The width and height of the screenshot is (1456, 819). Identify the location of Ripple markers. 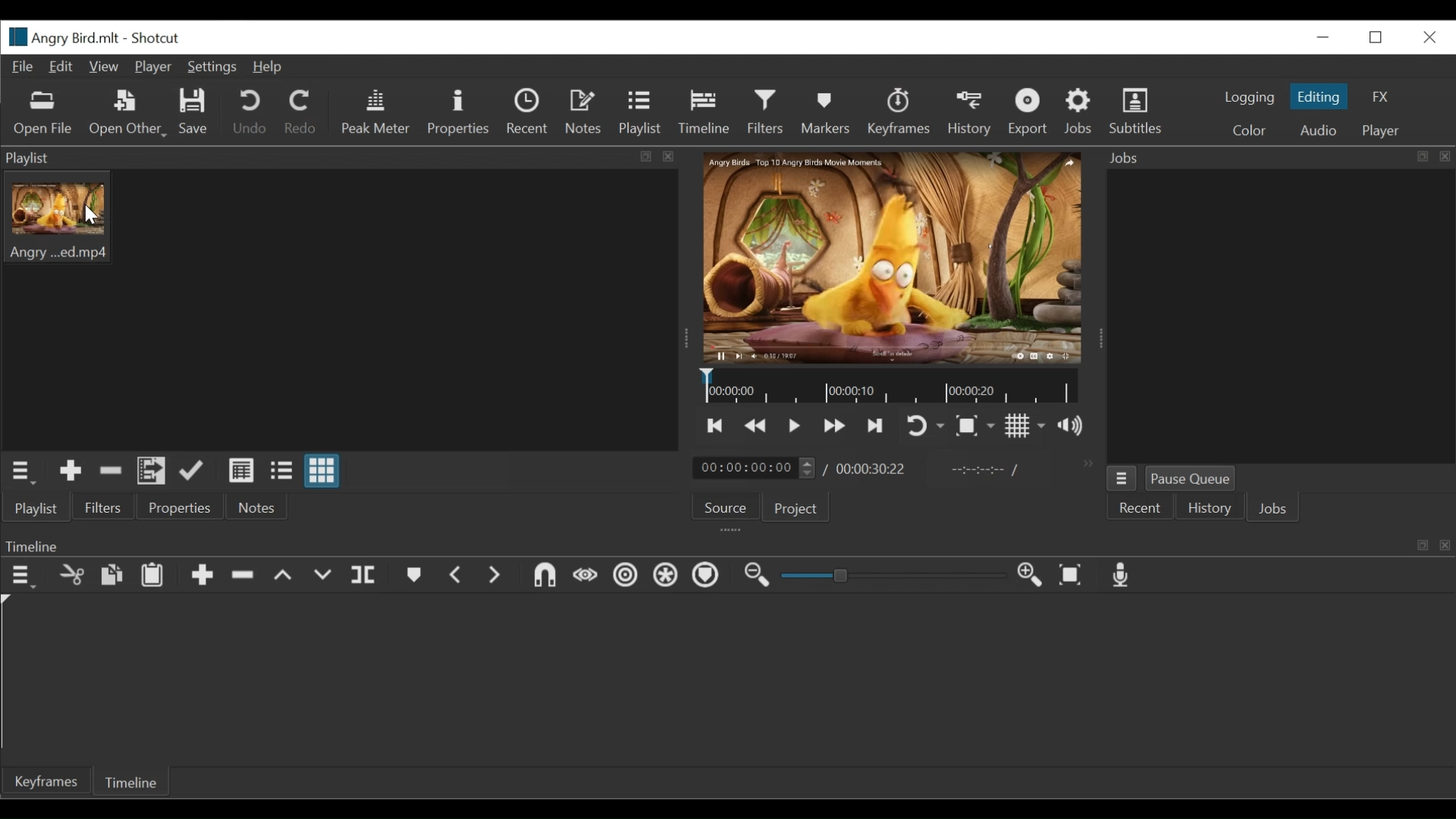
(708, 576).